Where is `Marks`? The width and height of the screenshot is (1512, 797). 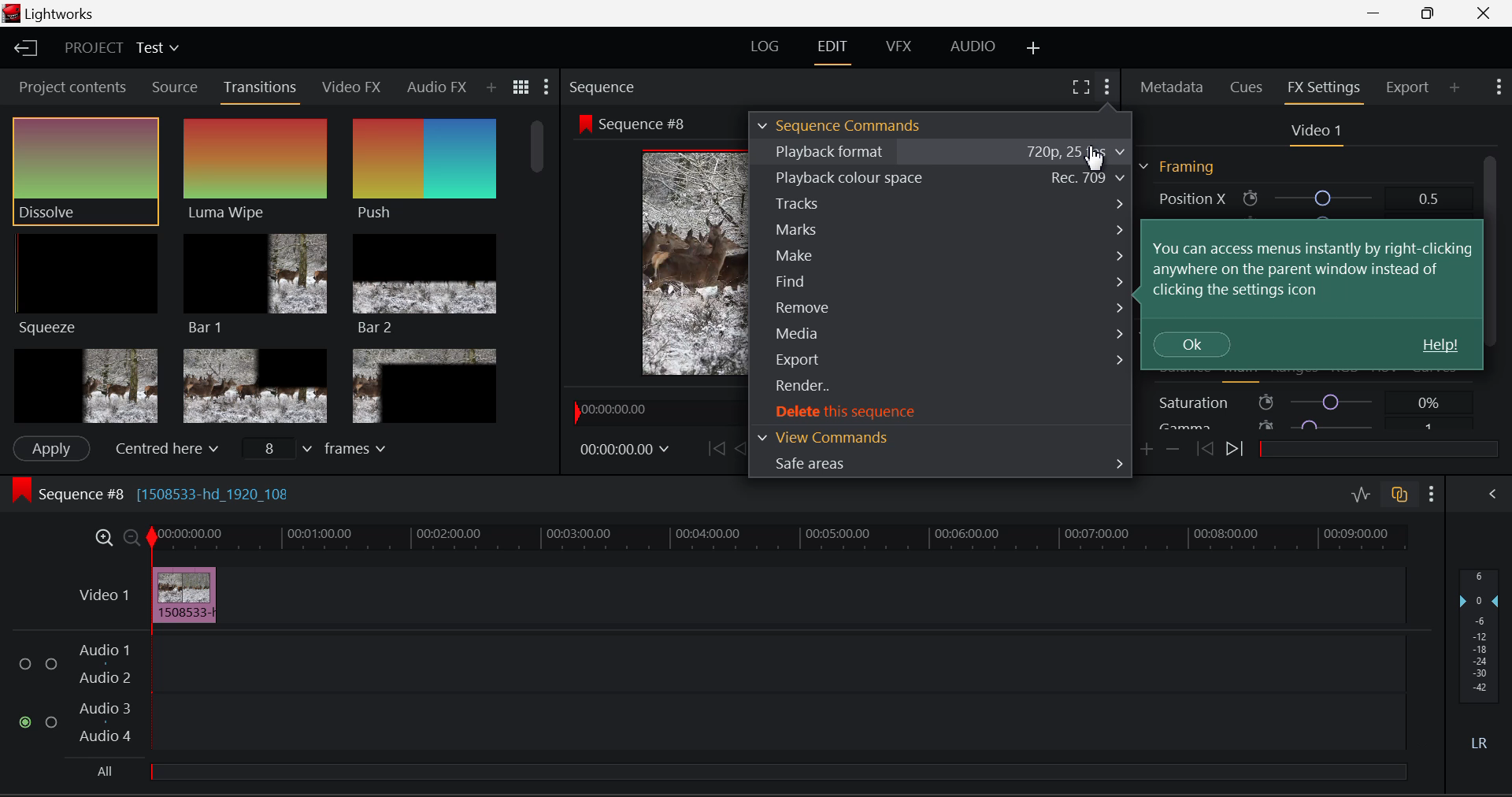 Marks is located at coordinates (937, 231).